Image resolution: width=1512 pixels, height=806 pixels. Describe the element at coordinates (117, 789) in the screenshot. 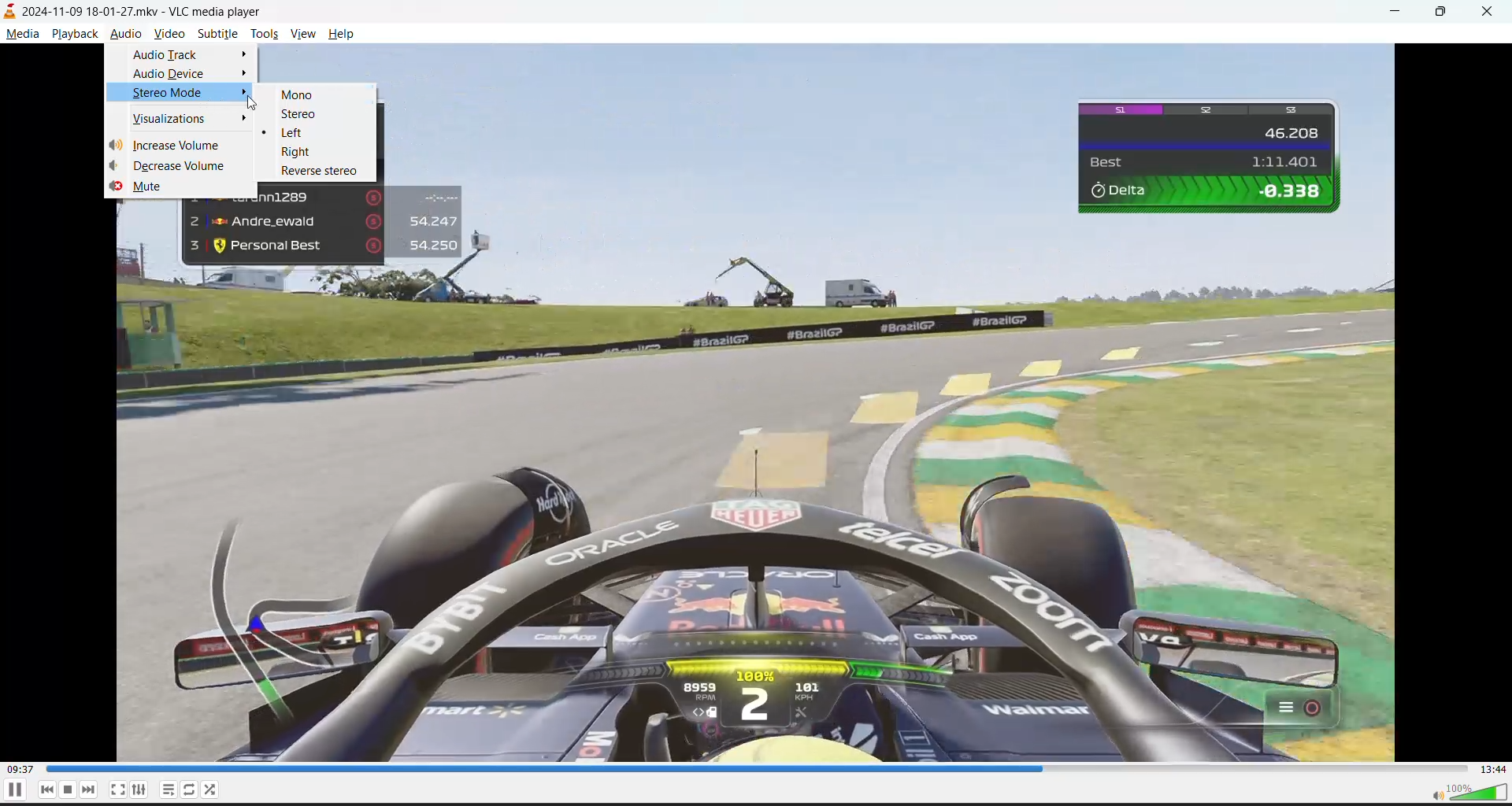

I see `fullscreen` at that location.